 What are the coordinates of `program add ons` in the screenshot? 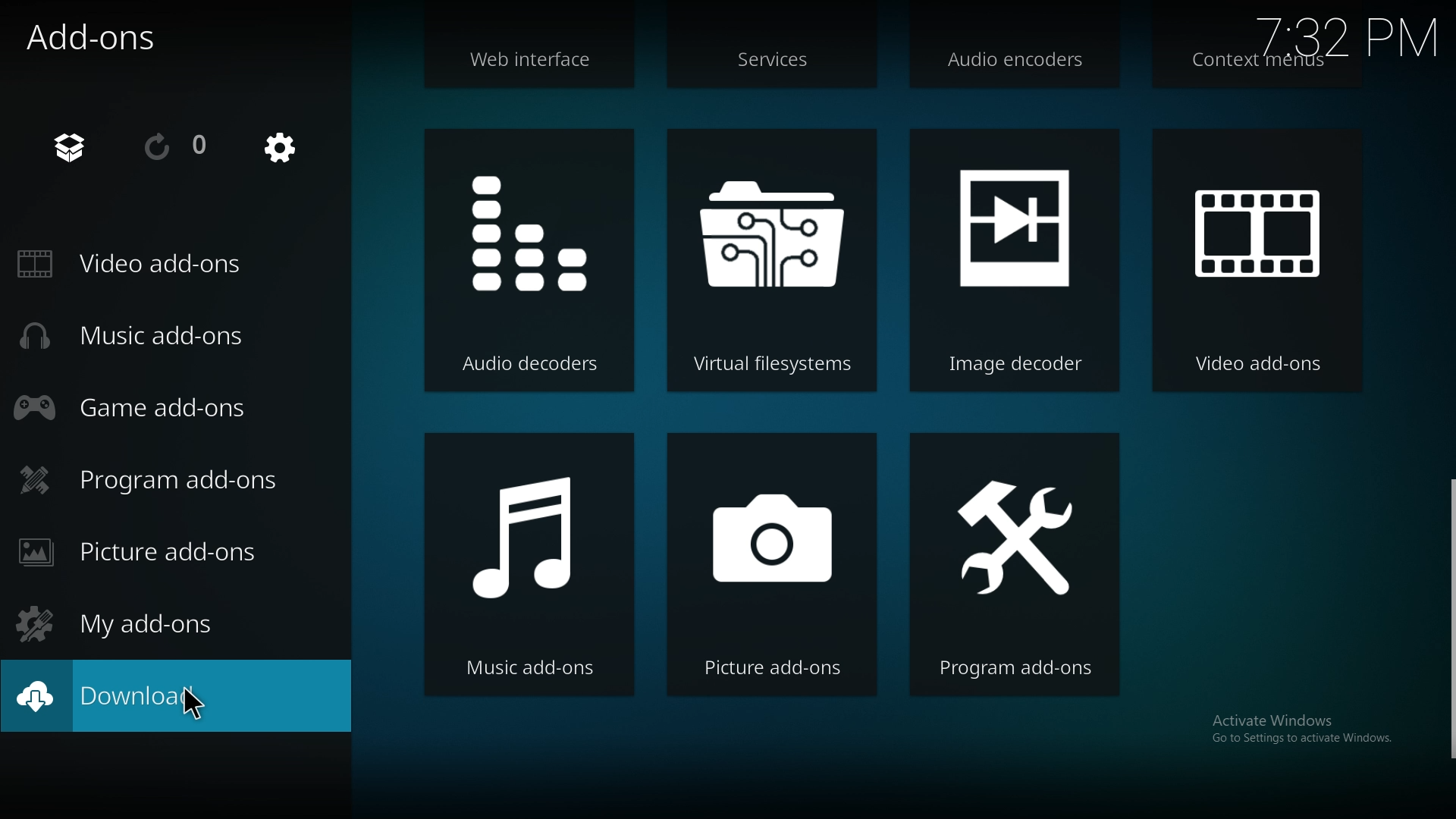 It's located at (1016, 566).